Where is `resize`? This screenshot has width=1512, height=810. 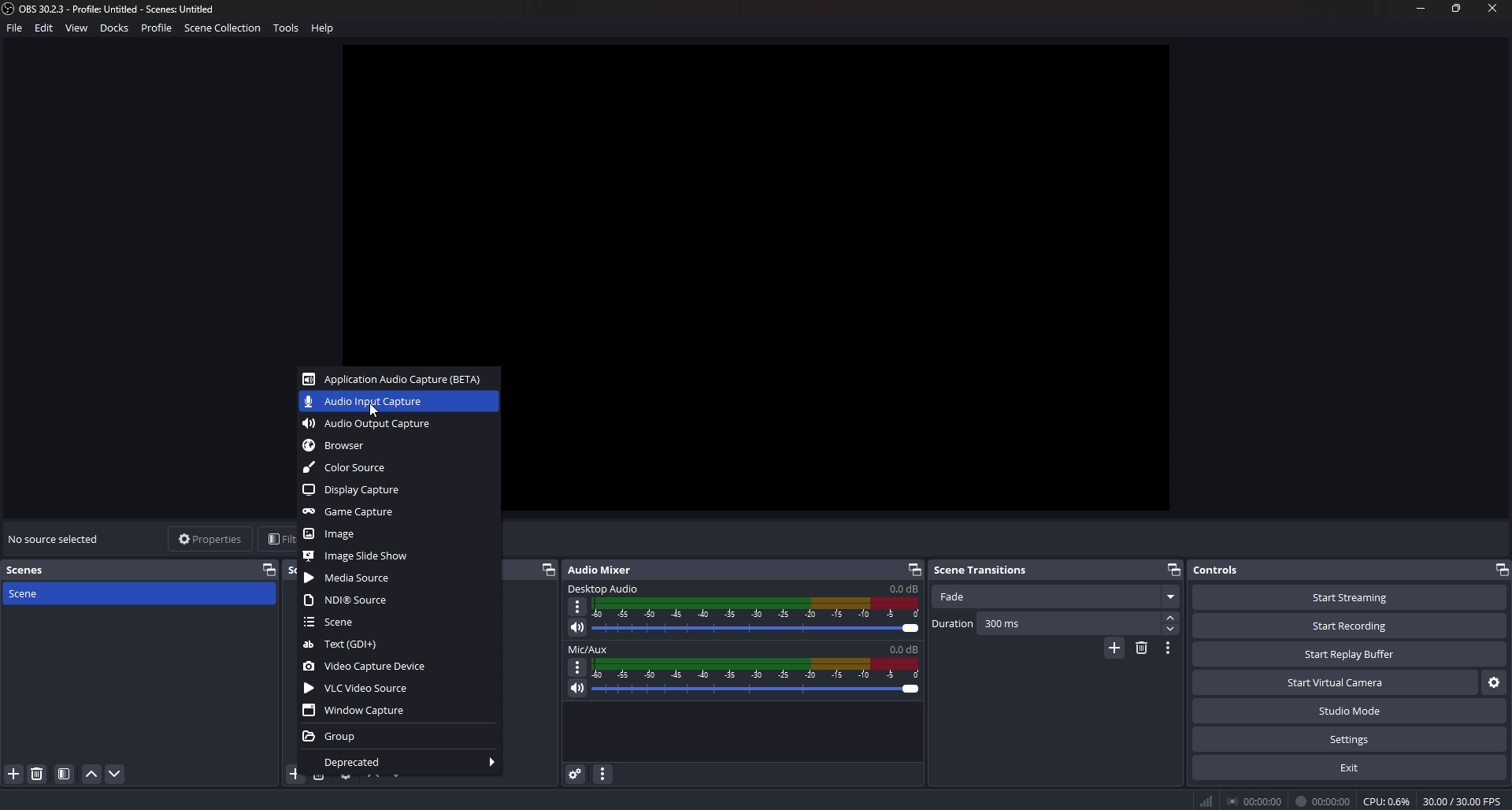
resize is located at coordinates (1458, 7).